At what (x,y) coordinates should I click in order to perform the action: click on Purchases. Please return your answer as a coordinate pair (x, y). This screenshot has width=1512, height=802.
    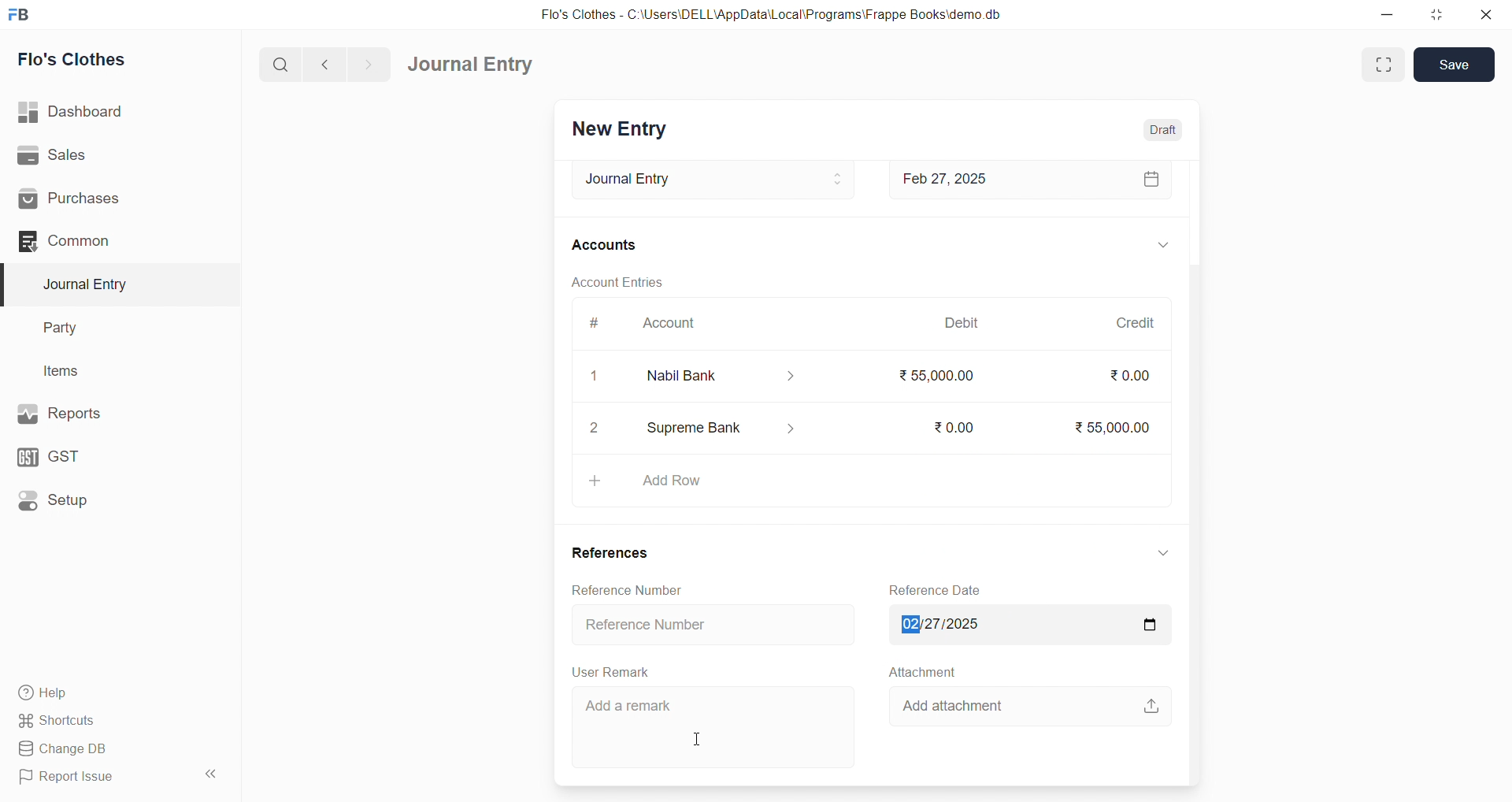
    Looking at the image, I should click on (95, 200).